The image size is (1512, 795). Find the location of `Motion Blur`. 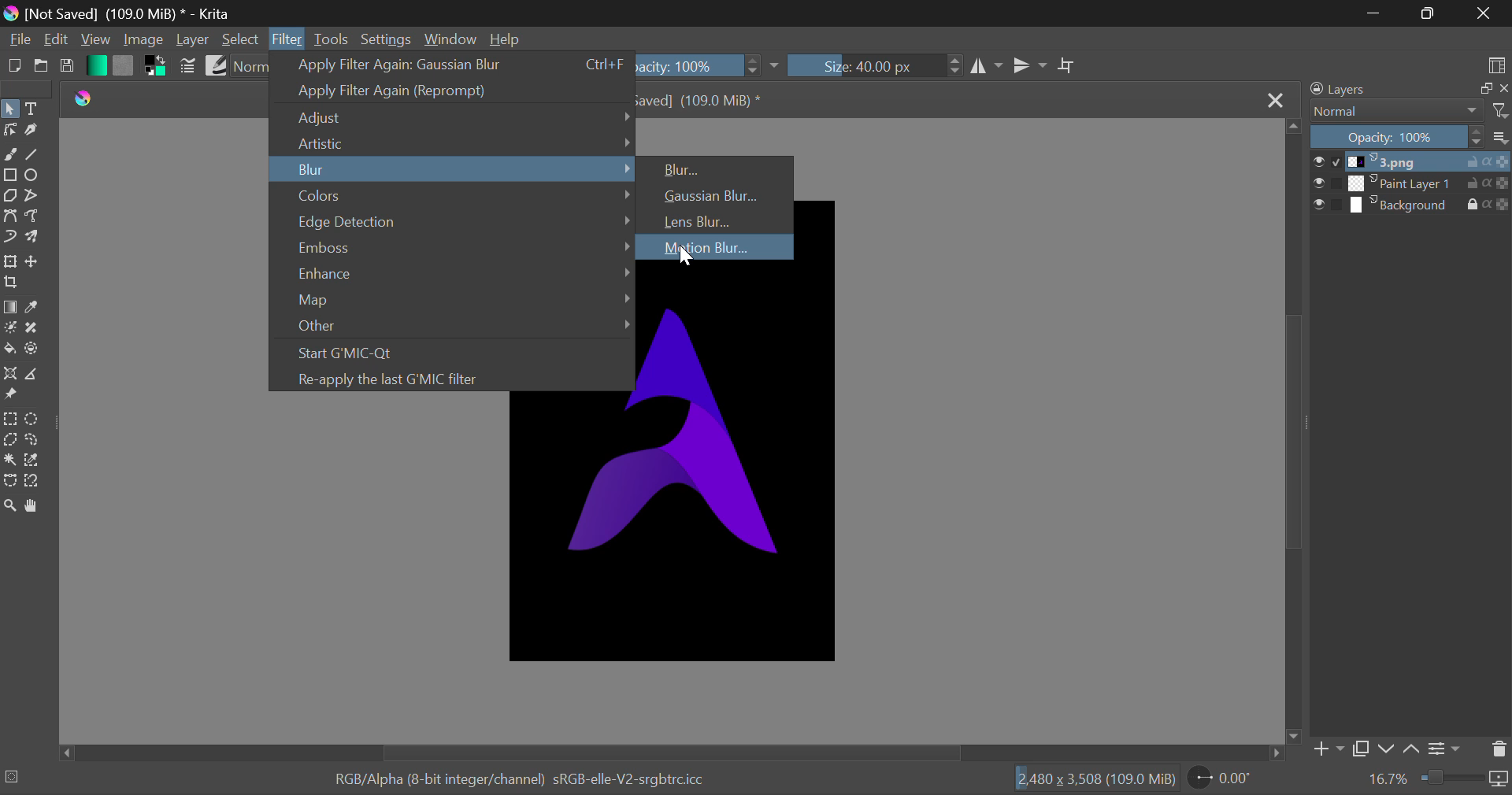

Motion Blur is located at coordinates (714, 246).